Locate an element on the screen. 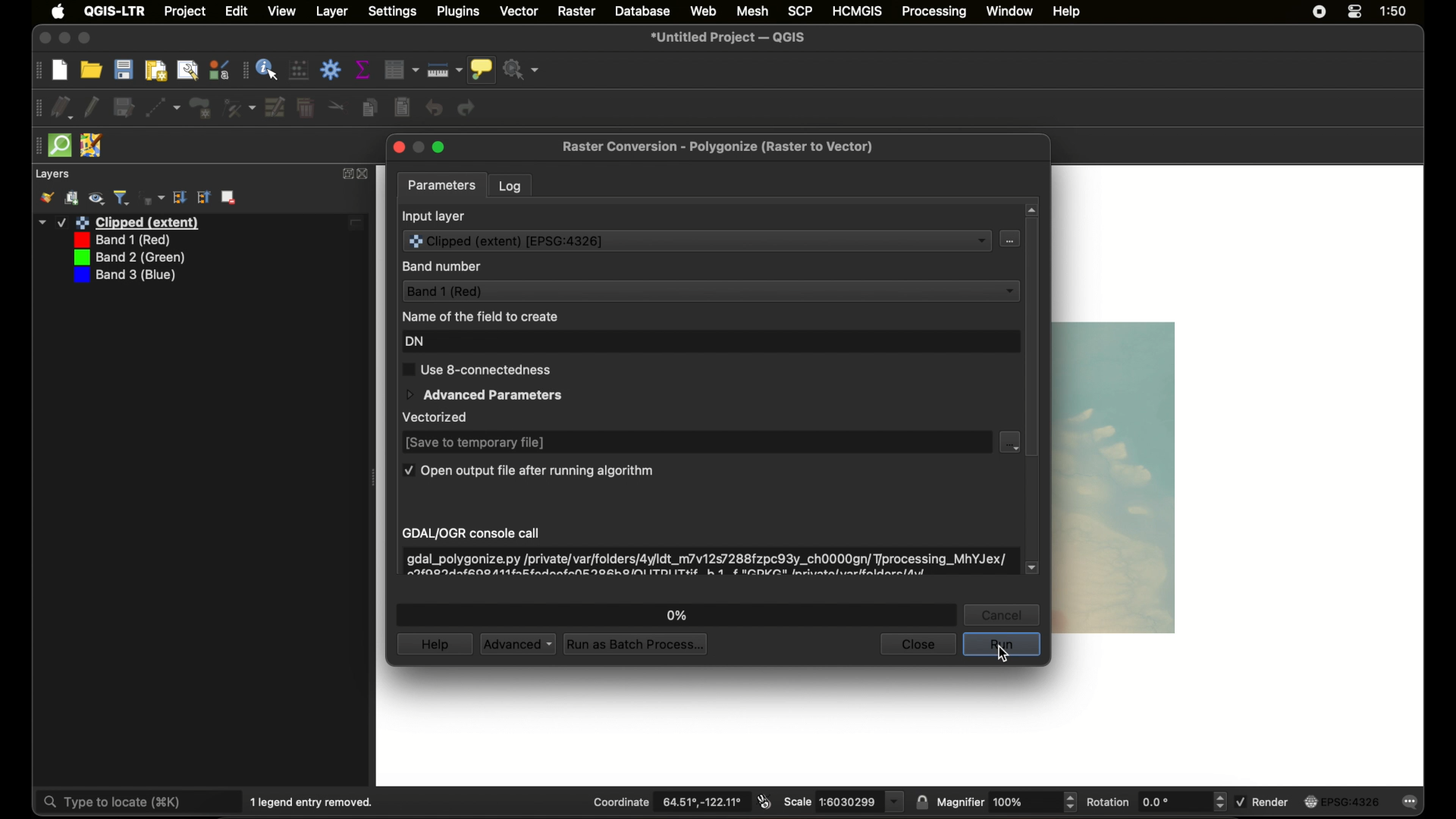 This screenshot has height=819, width=1456. maximize is located at coordinates (86, 39).